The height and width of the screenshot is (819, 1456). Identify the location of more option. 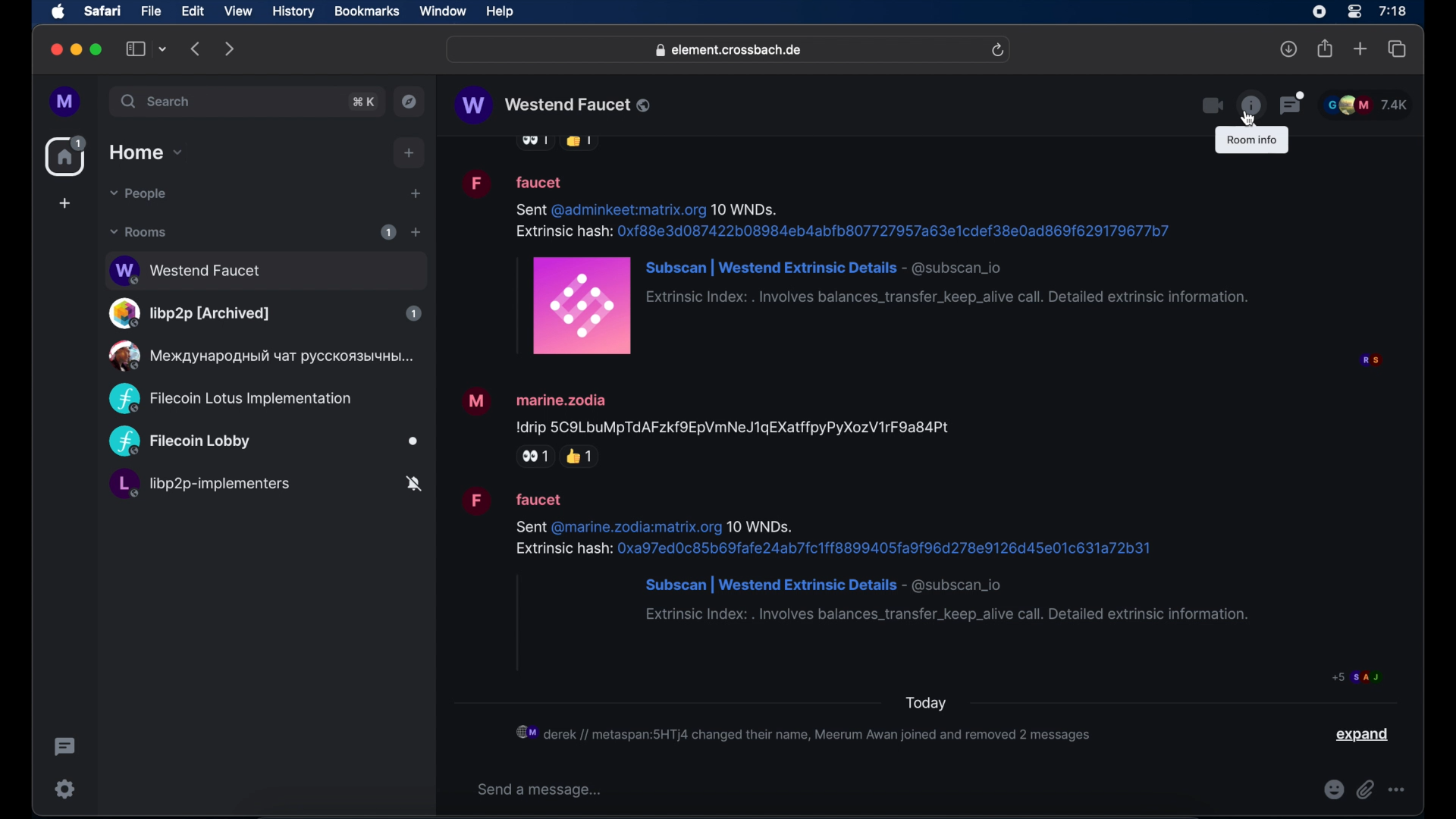
(1398, 789).